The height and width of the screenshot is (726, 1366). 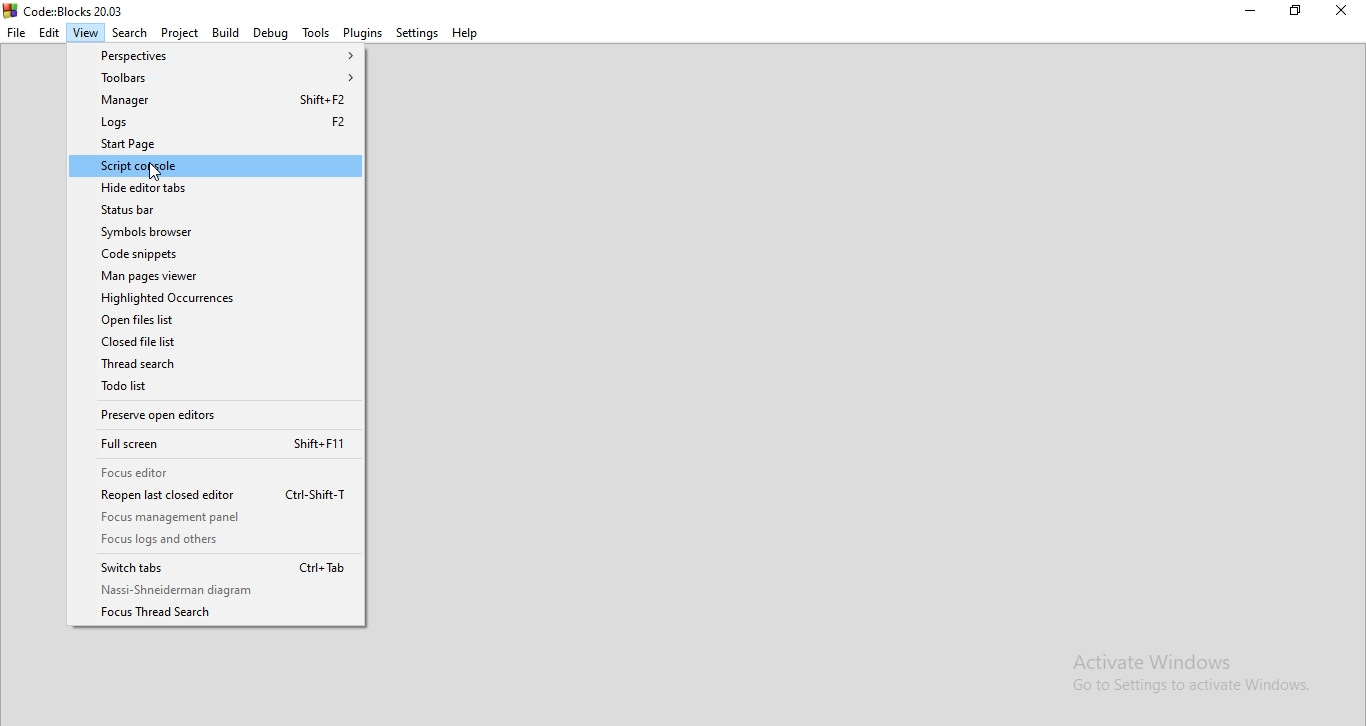 I want to click on Toolbars, so click(x=217, y=77).